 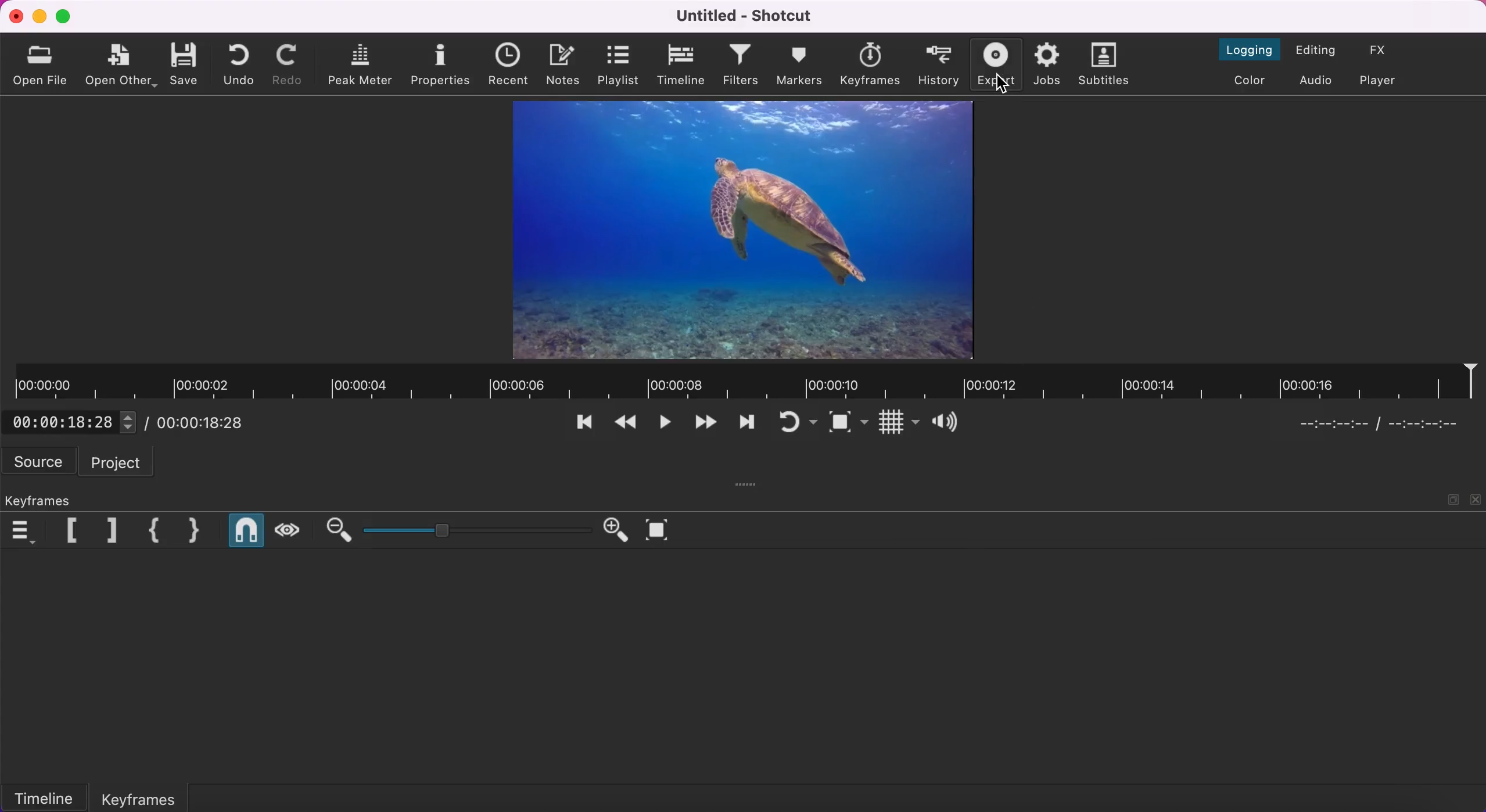 I want to click on toggle player looping, so click(x=794, y=423).